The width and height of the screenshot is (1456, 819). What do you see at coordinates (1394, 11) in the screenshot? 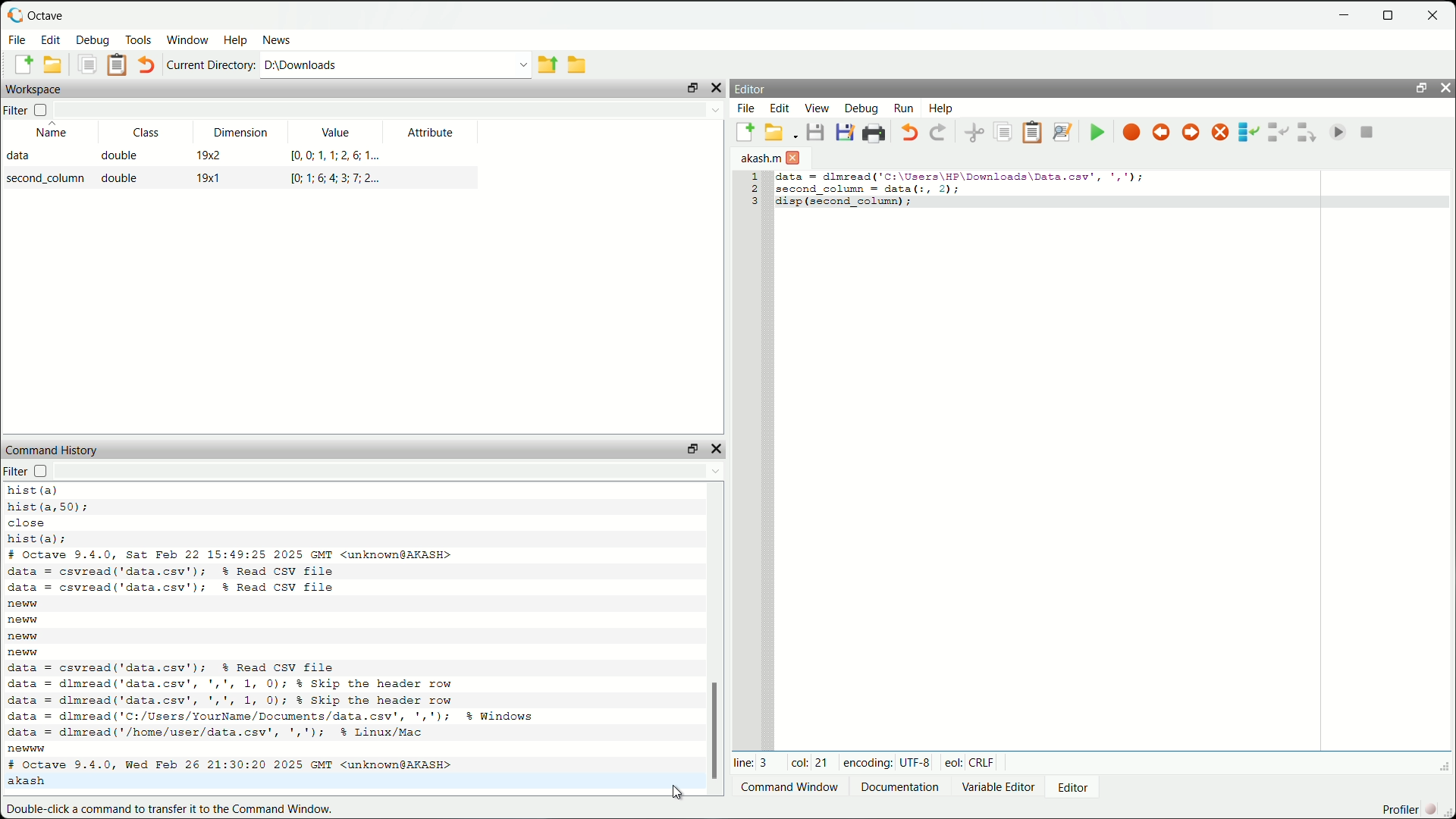
I see `maximize` at bounding box center [1394, 11].